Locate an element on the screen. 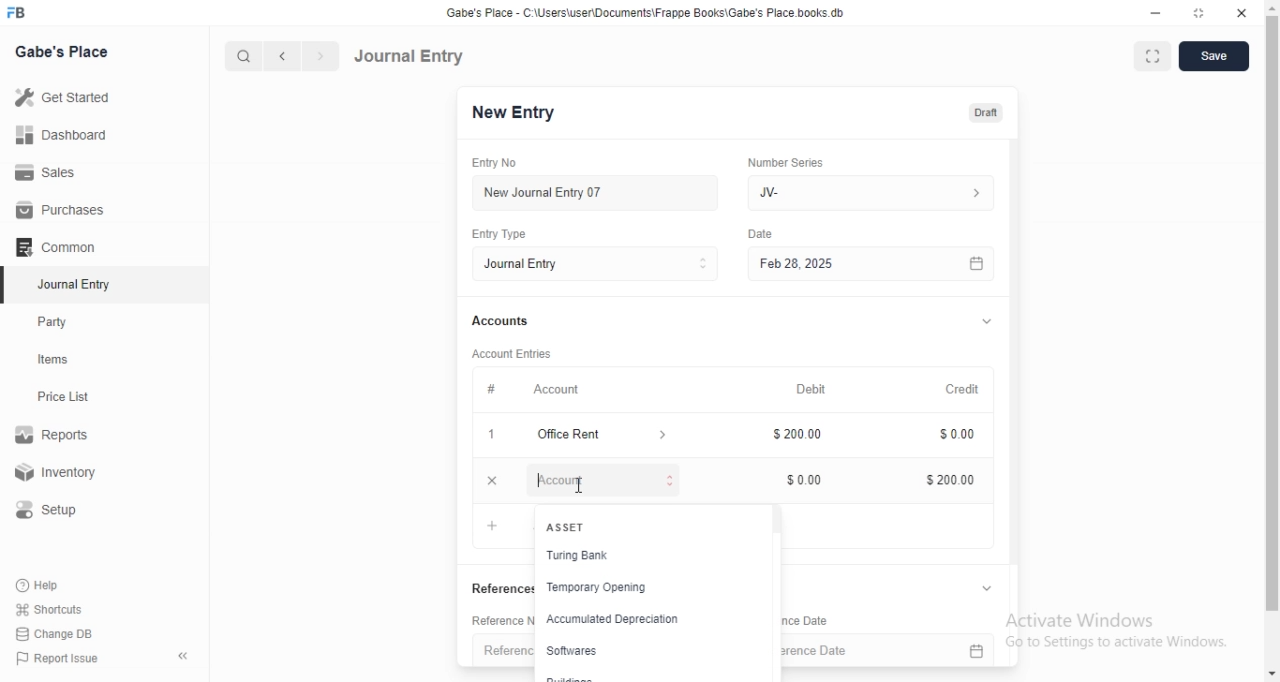 This screenshot has height=682, width=1280. Turing Bank is located at coordinates (582, 556).